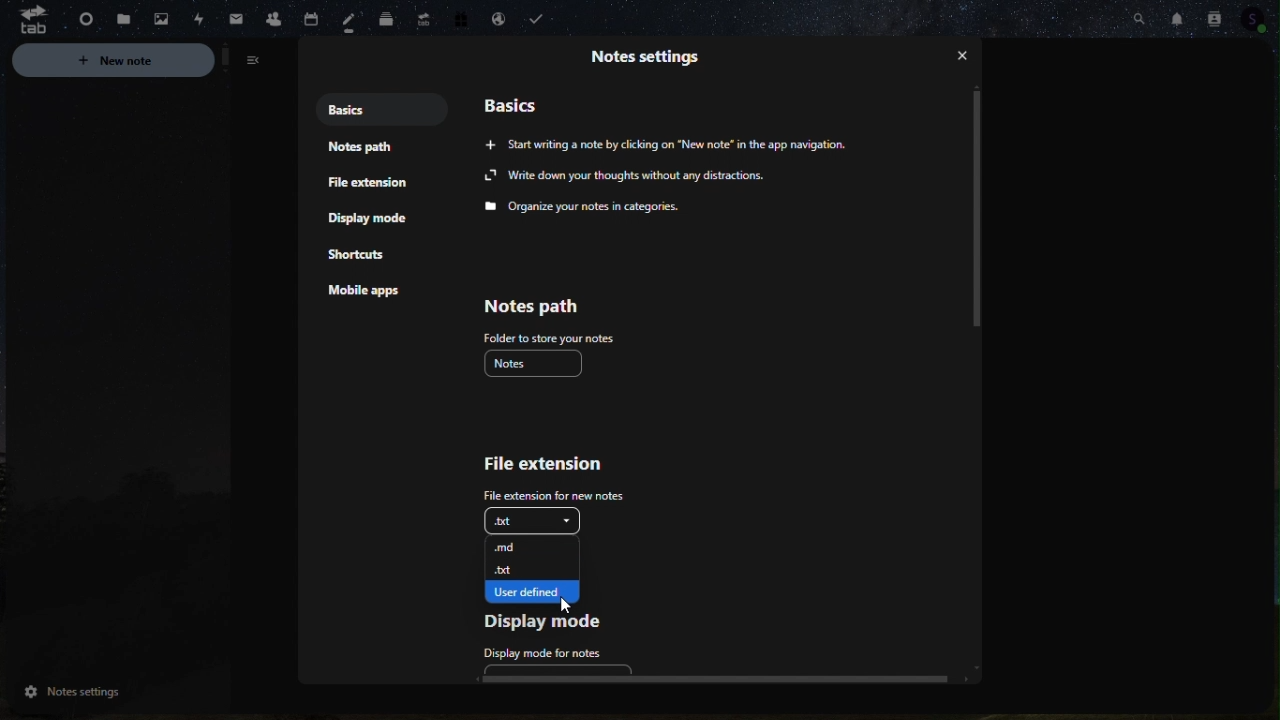 This screenshot has width=1280, height=720. What do you see at coordinates (161, 19) in the screenshot?
I see `Photos` at bounding box center [161, 19].